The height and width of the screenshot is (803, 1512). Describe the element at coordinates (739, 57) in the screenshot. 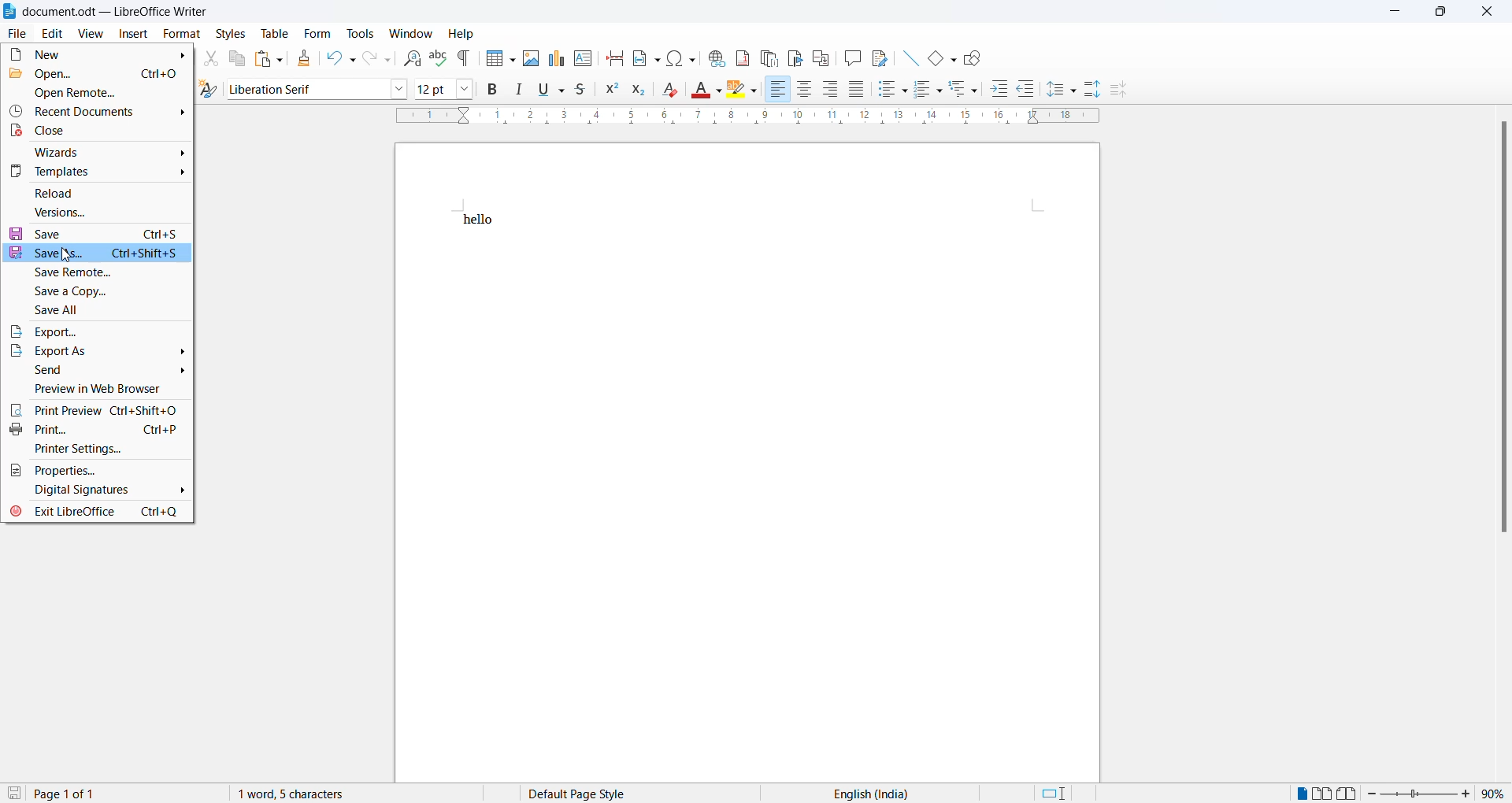

I see `Insert footnote` at that location.